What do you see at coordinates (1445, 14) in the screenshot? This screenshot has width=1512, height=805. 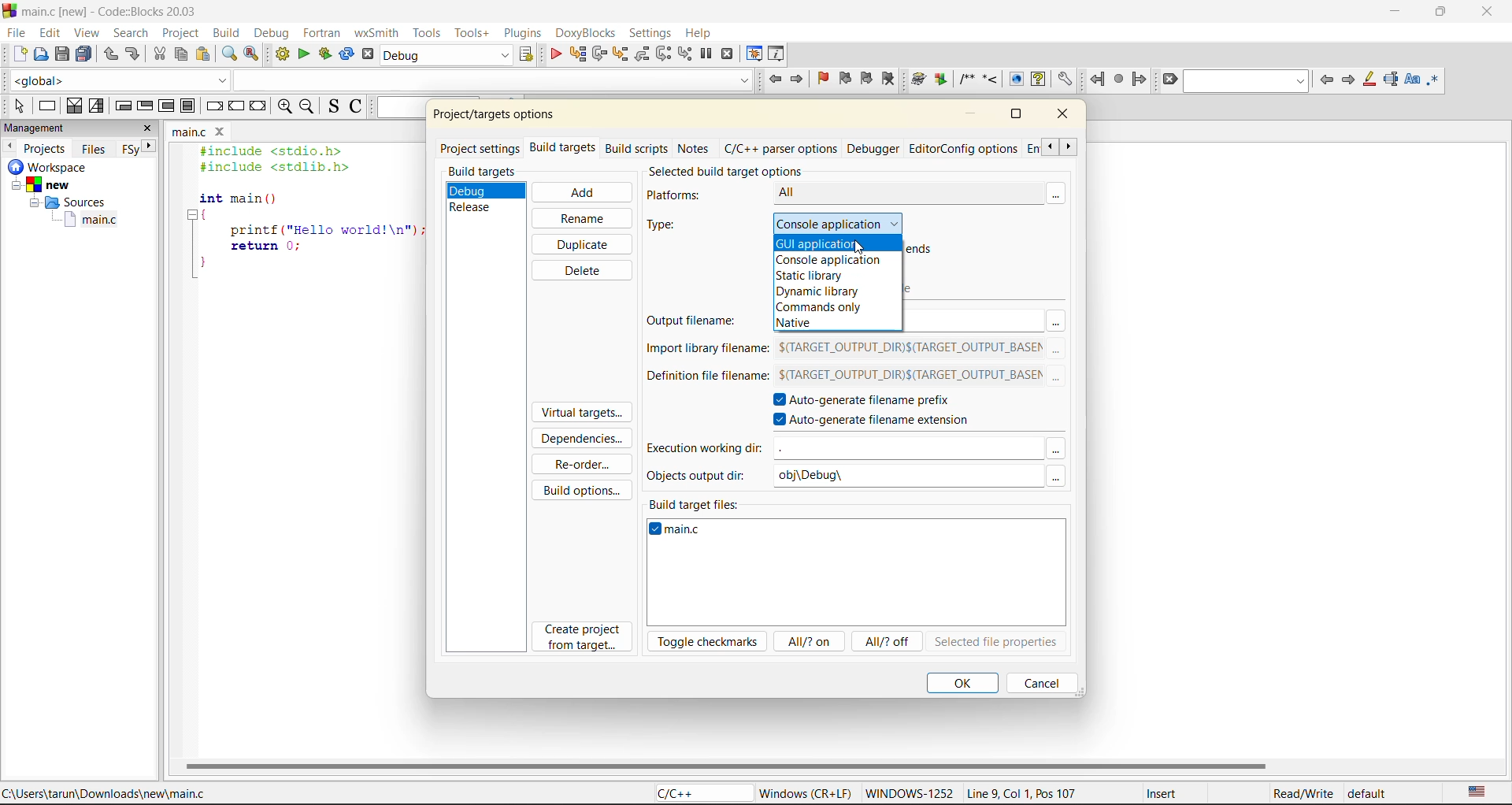 I see `maximize` at bounding box center [1445, 14].